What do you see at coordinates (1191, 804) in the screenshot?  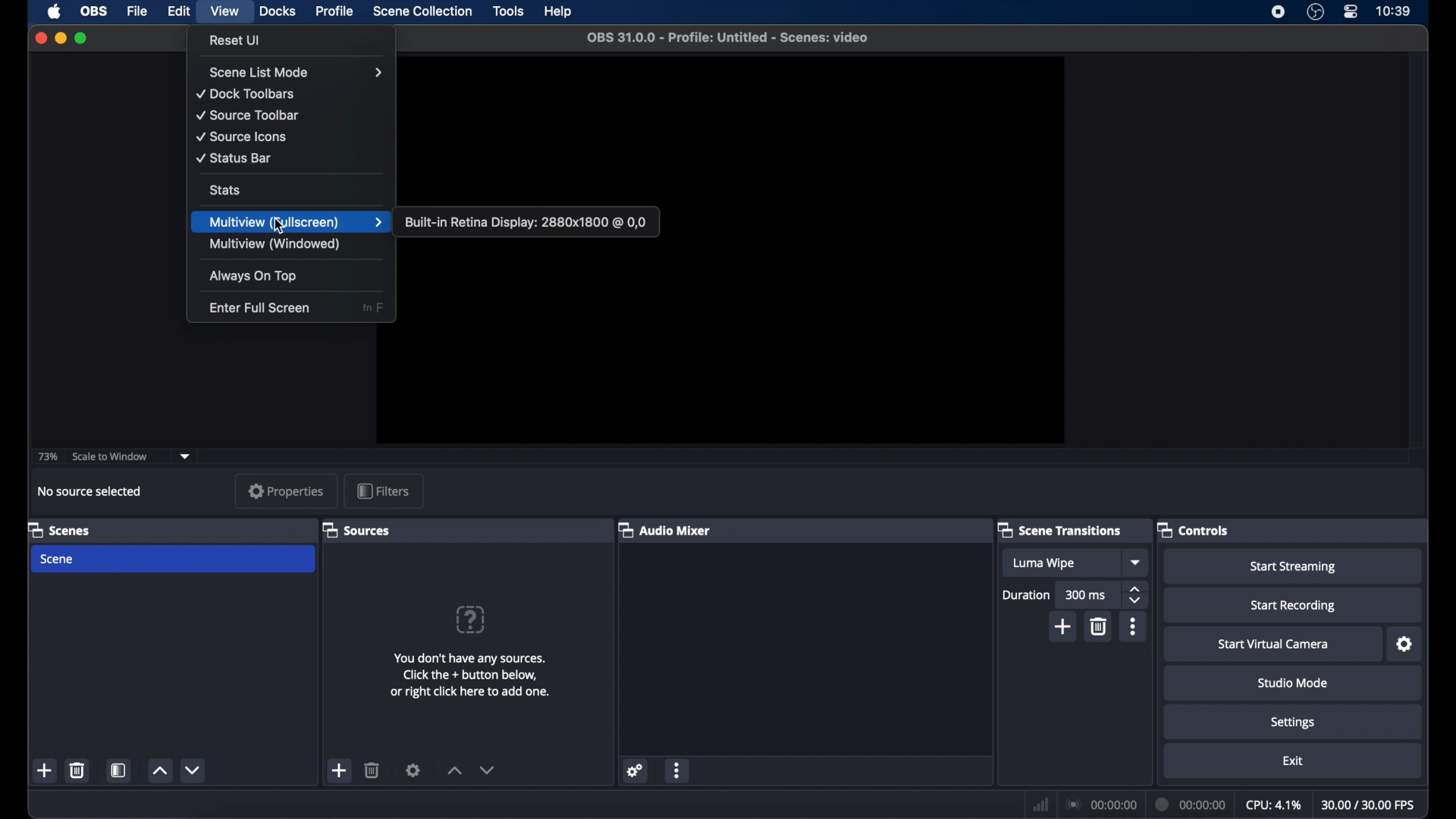 I see `00:00:00` at bounding box center [1191, 804].